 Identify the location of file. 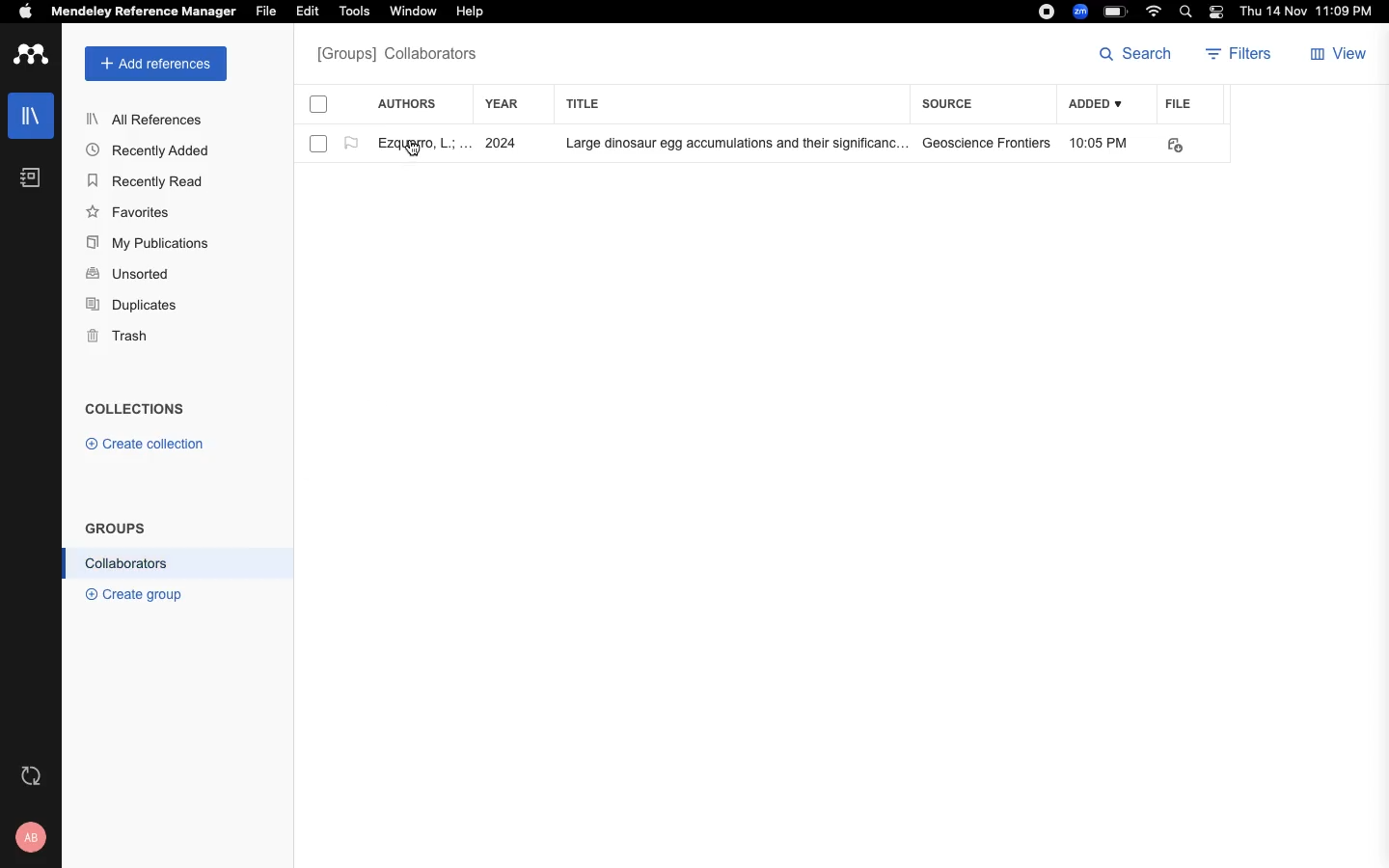
(1192, 105).